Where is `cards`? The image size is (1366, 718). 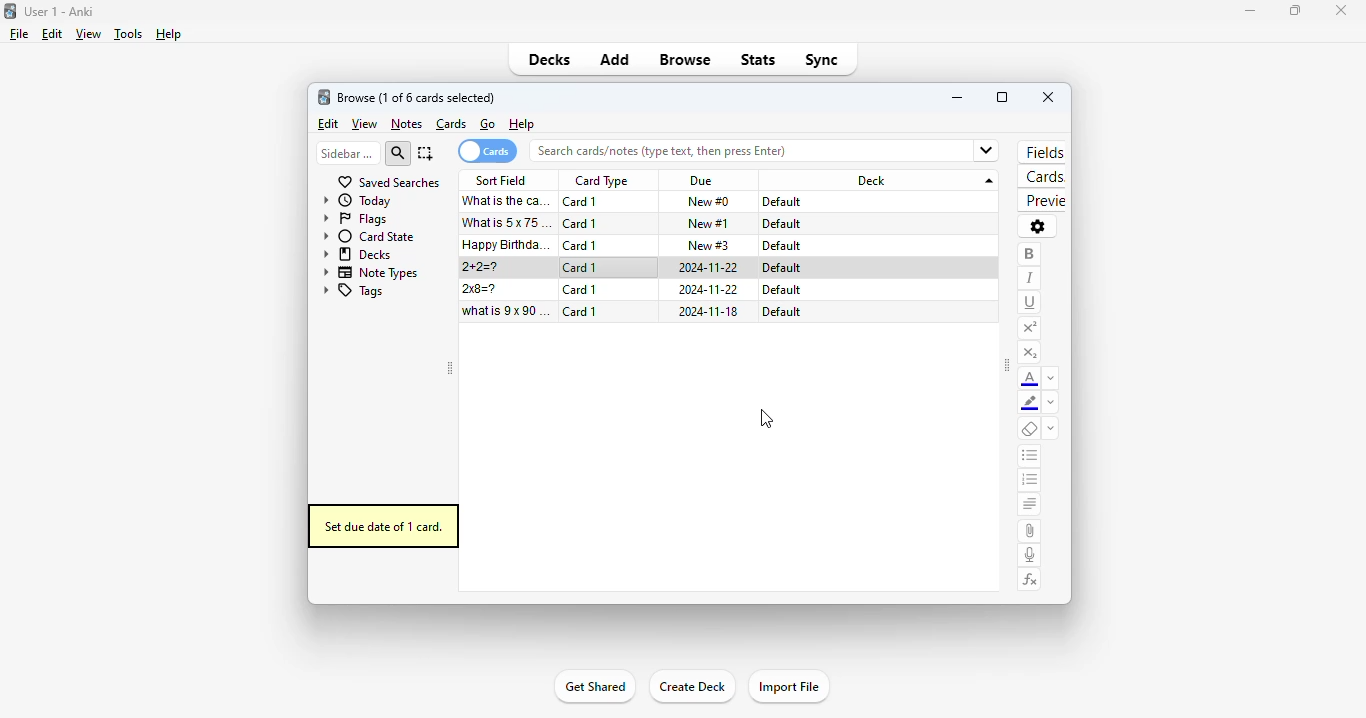 cards is located at coordinates (452, 124).